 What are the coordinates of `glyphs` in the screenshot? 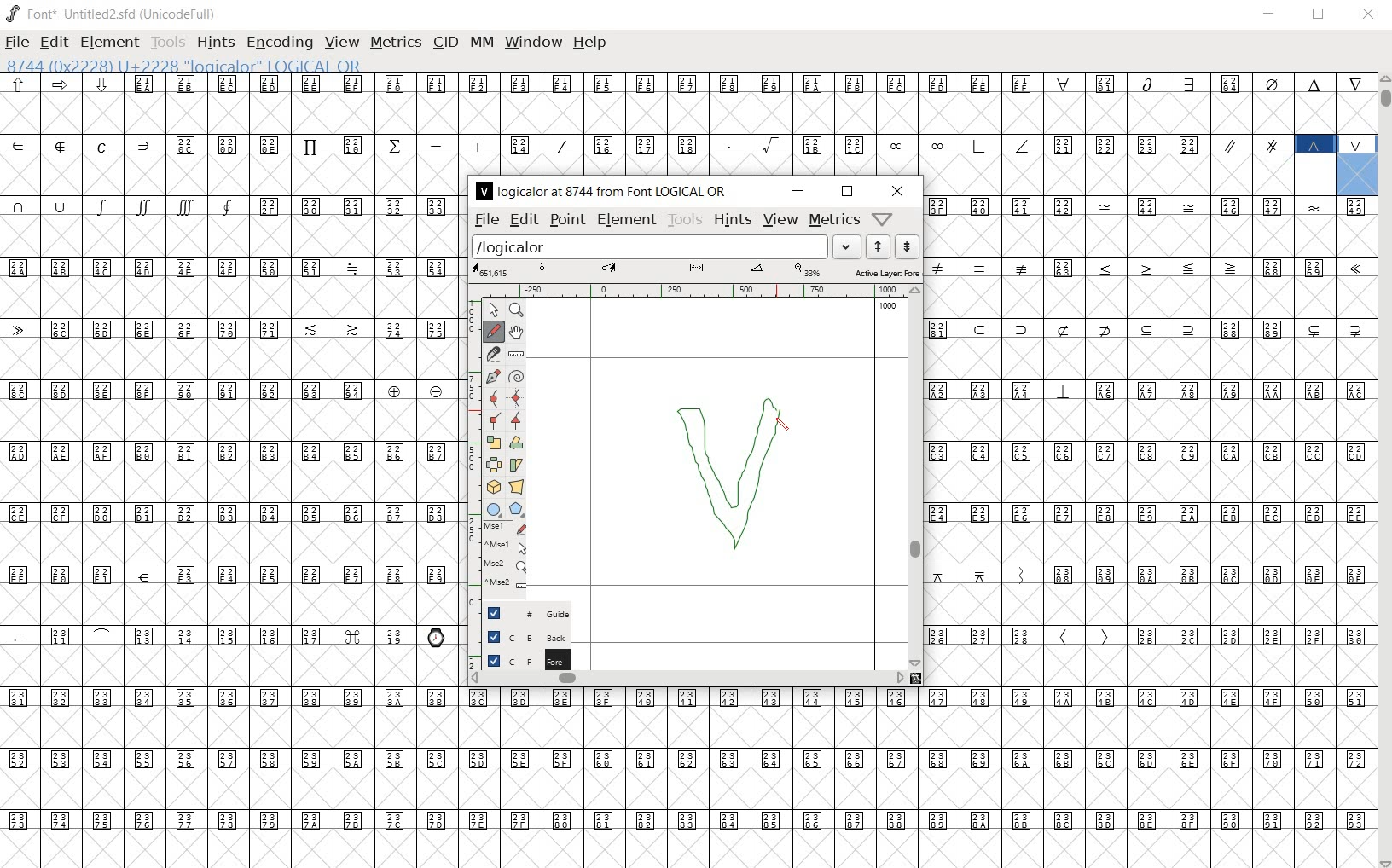 It's located at (229, 467).